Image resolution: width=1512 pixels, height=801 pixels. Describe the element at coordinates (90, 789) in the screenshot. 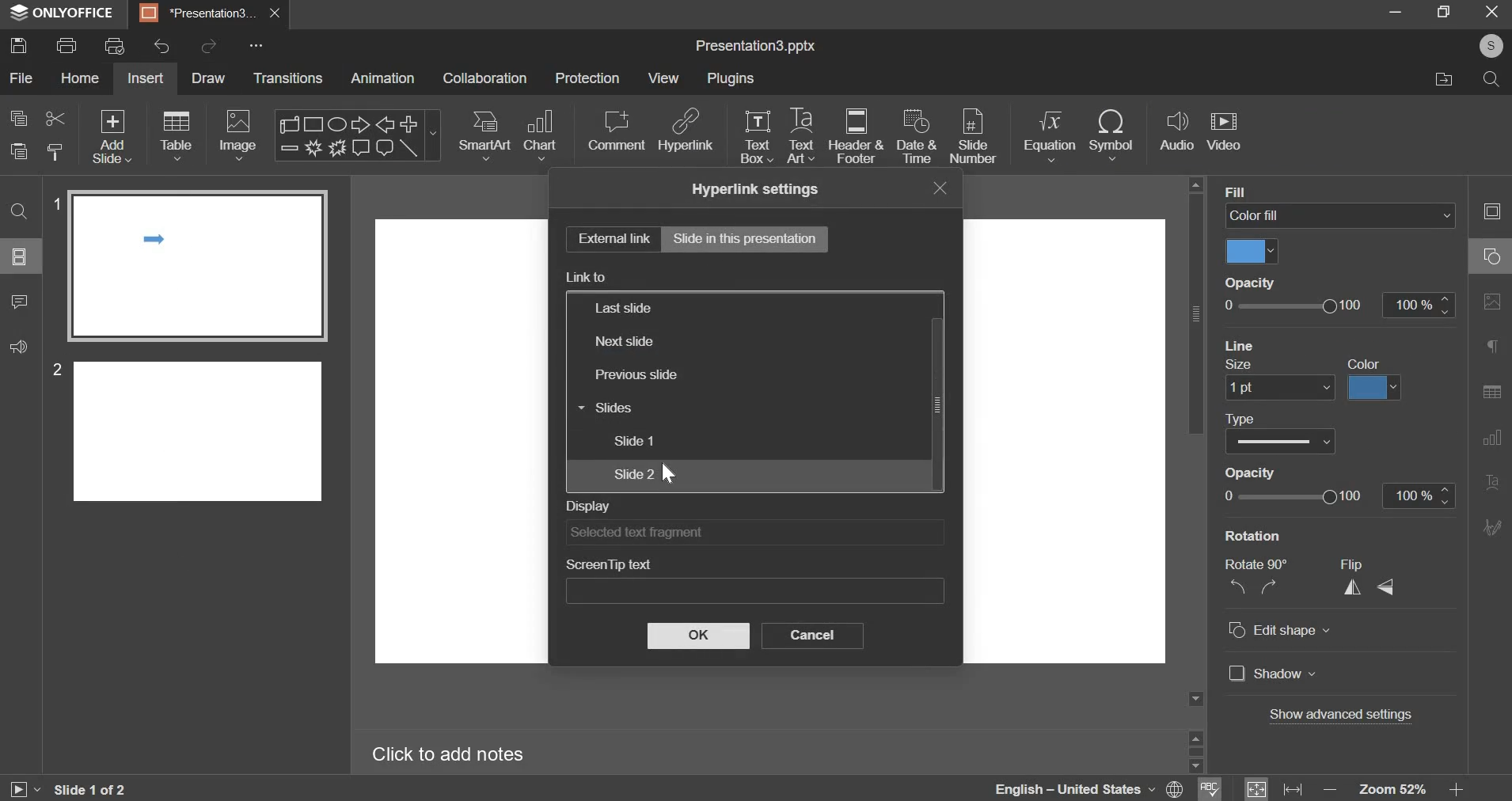

I see `active slide out of total slides` at that location.